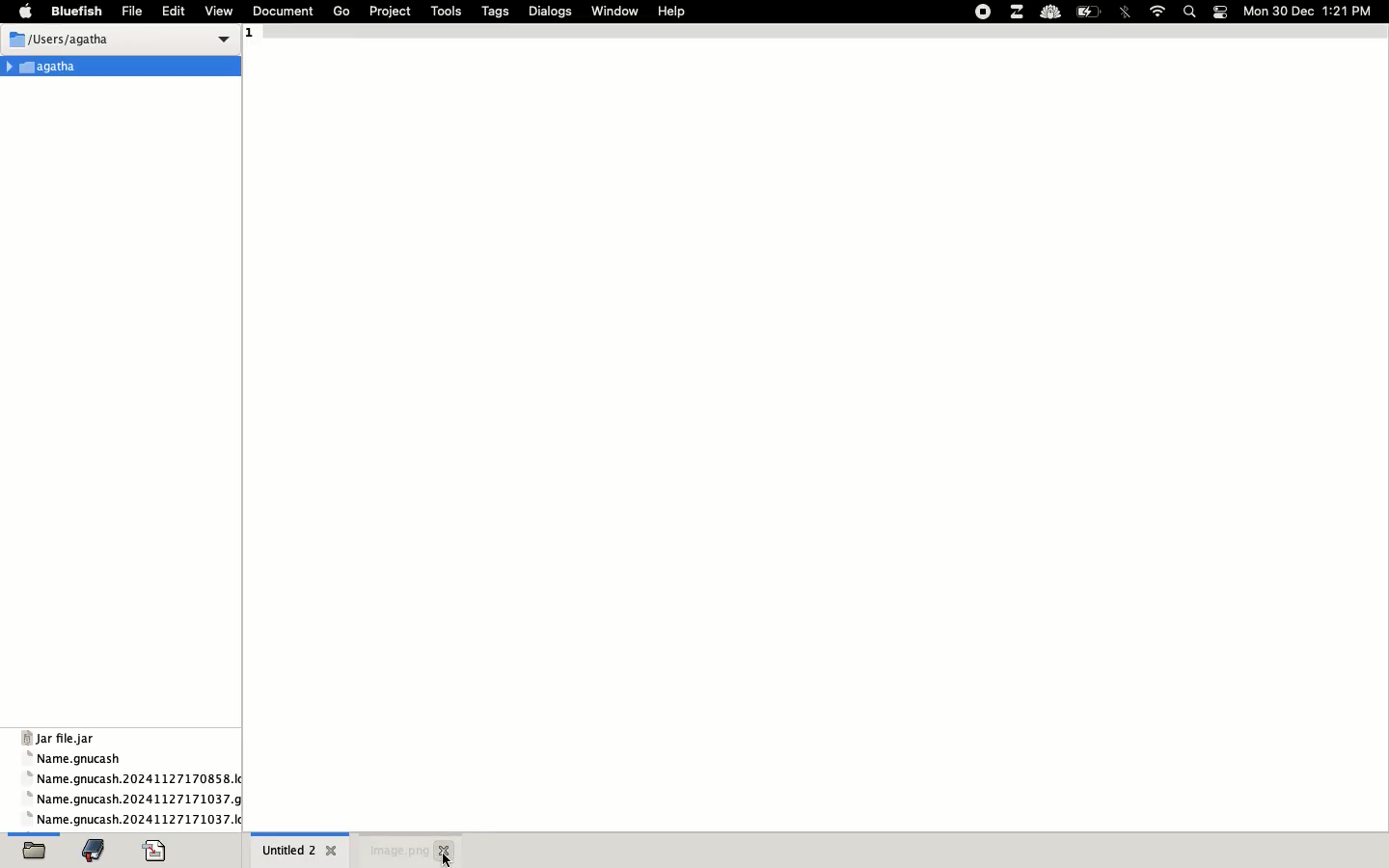  I want to click on name gnucash, so click(134, 779).